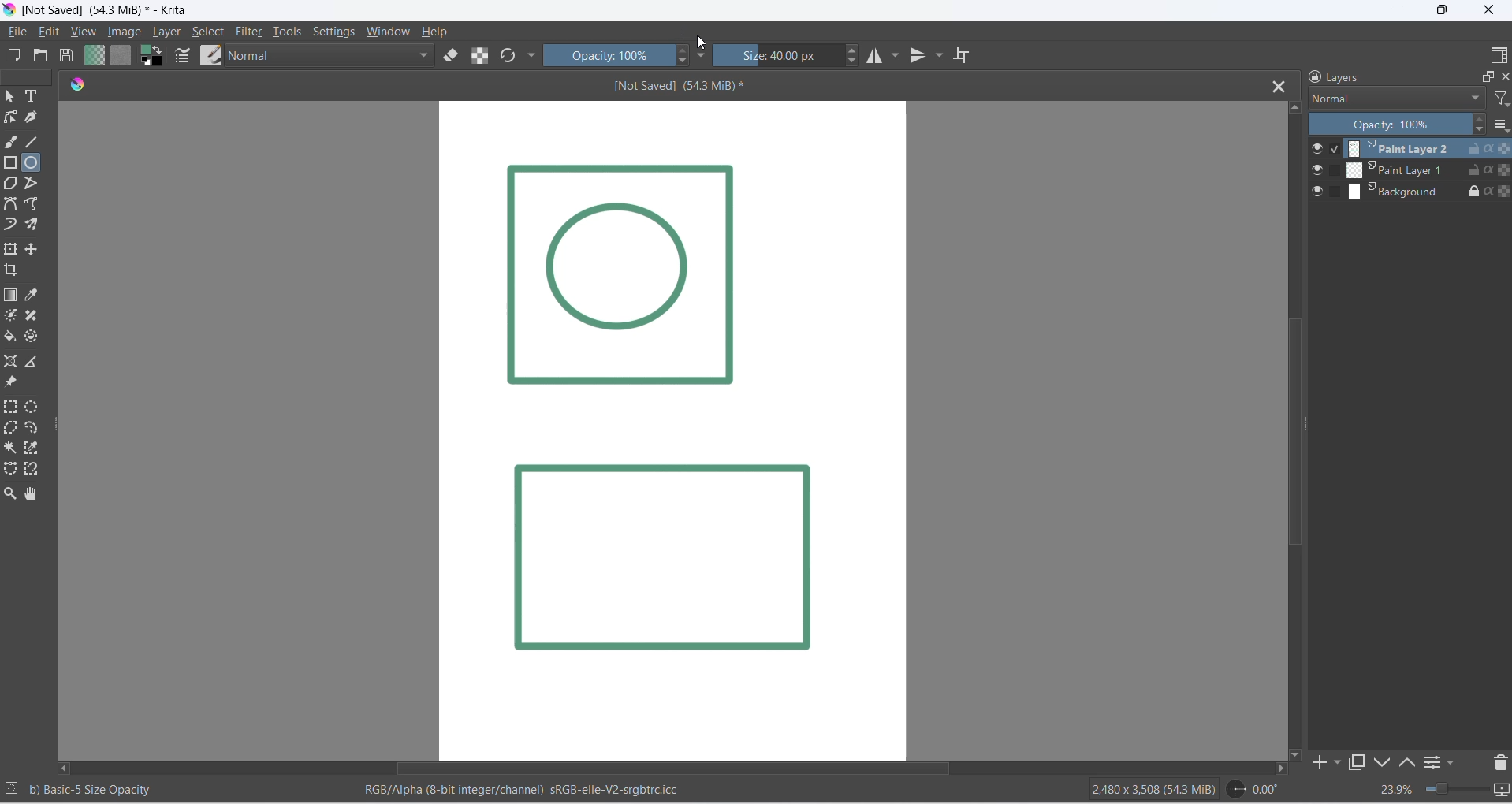  Describe the element at coordinates (700, 44) in the screenshot. I see `cursor` at that location.